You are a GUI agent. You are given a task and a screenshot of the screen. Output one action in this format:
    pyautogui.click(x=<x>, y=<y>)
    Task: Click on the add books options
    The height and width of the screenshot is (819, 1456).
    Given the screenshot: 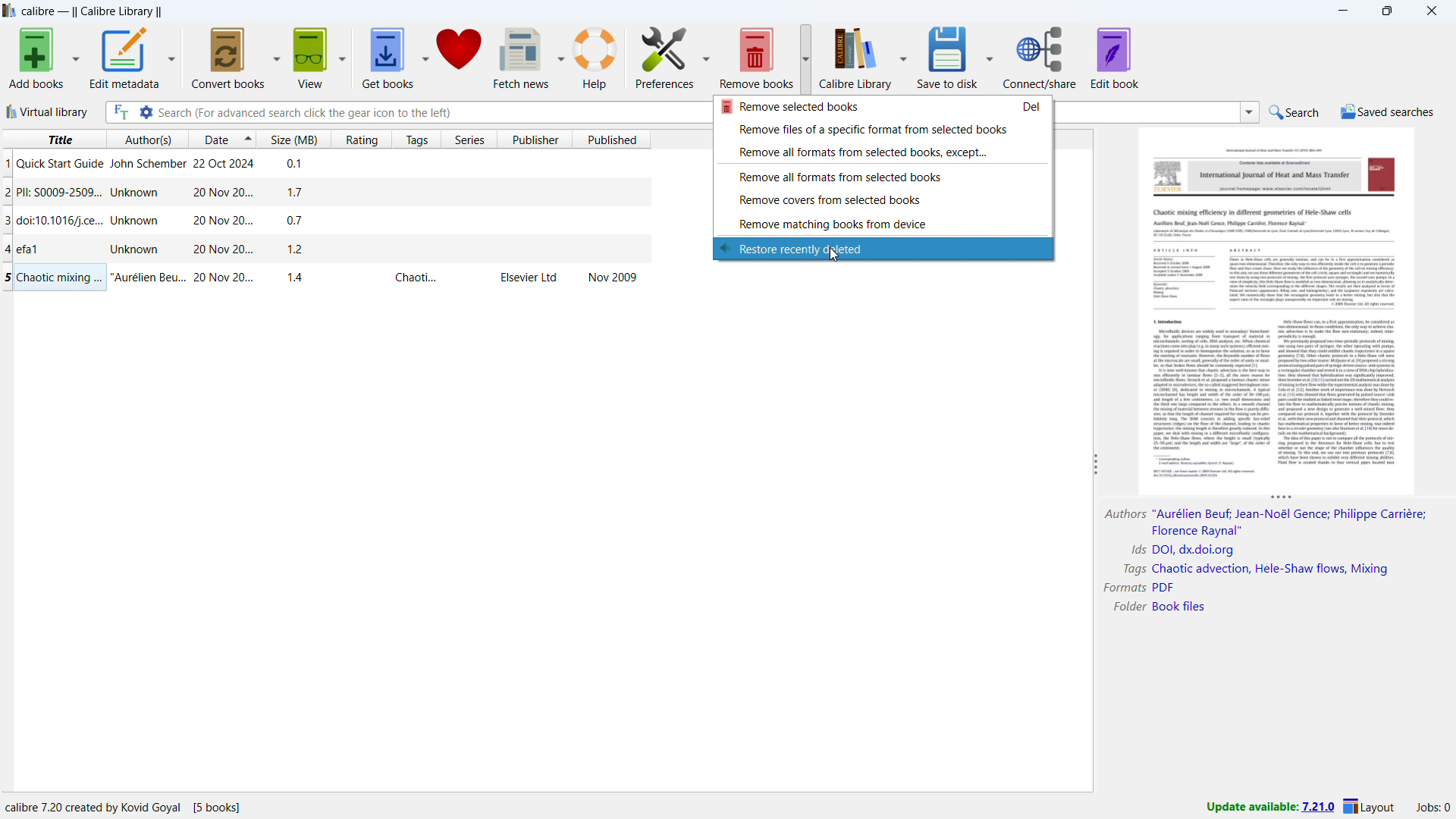 What is the action you would take?
    pyautogui.click(x=75, y=58)
    